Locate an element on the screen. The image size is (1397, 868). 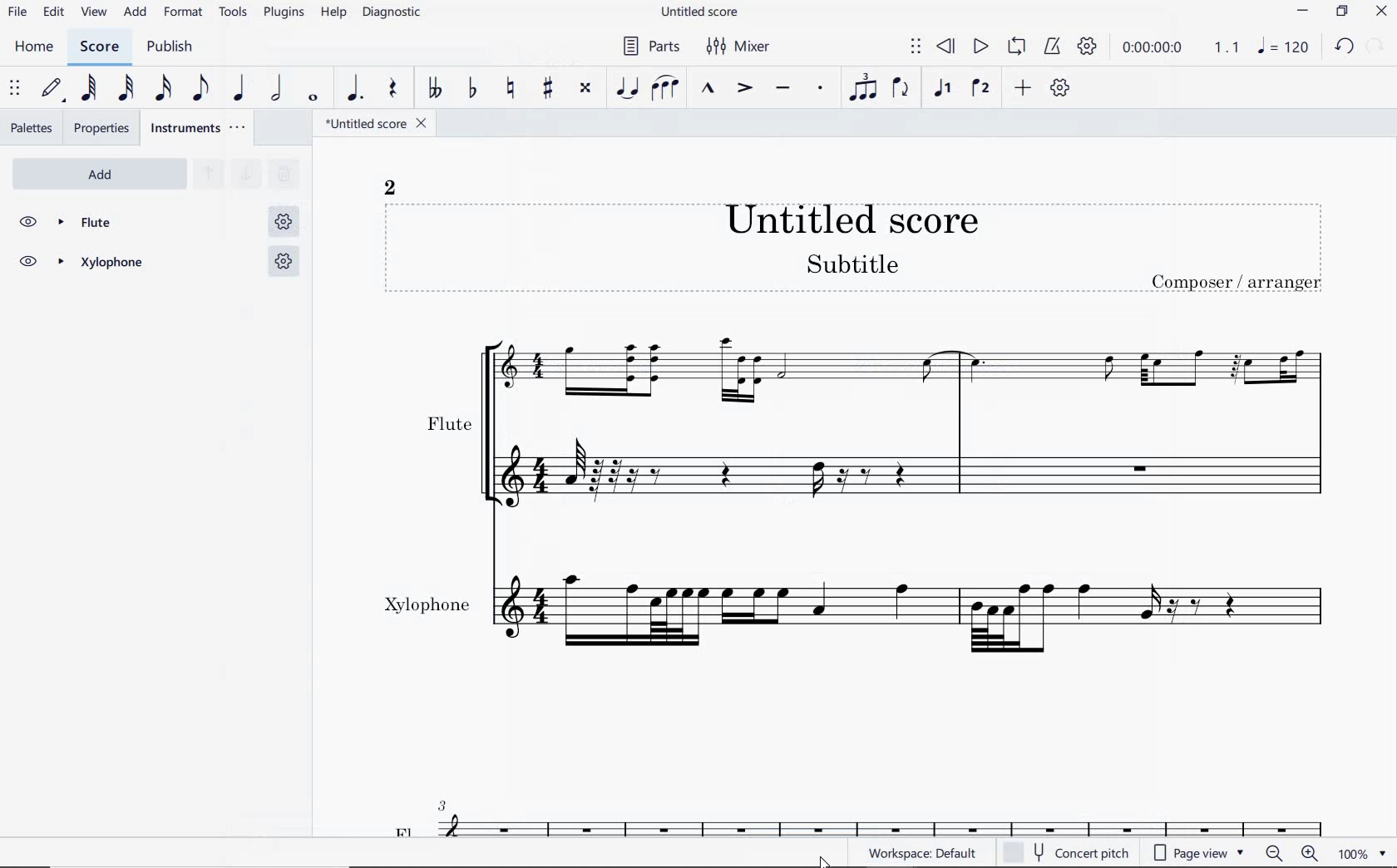
DIAGNOSTIC is located at coordinates (392, 13).